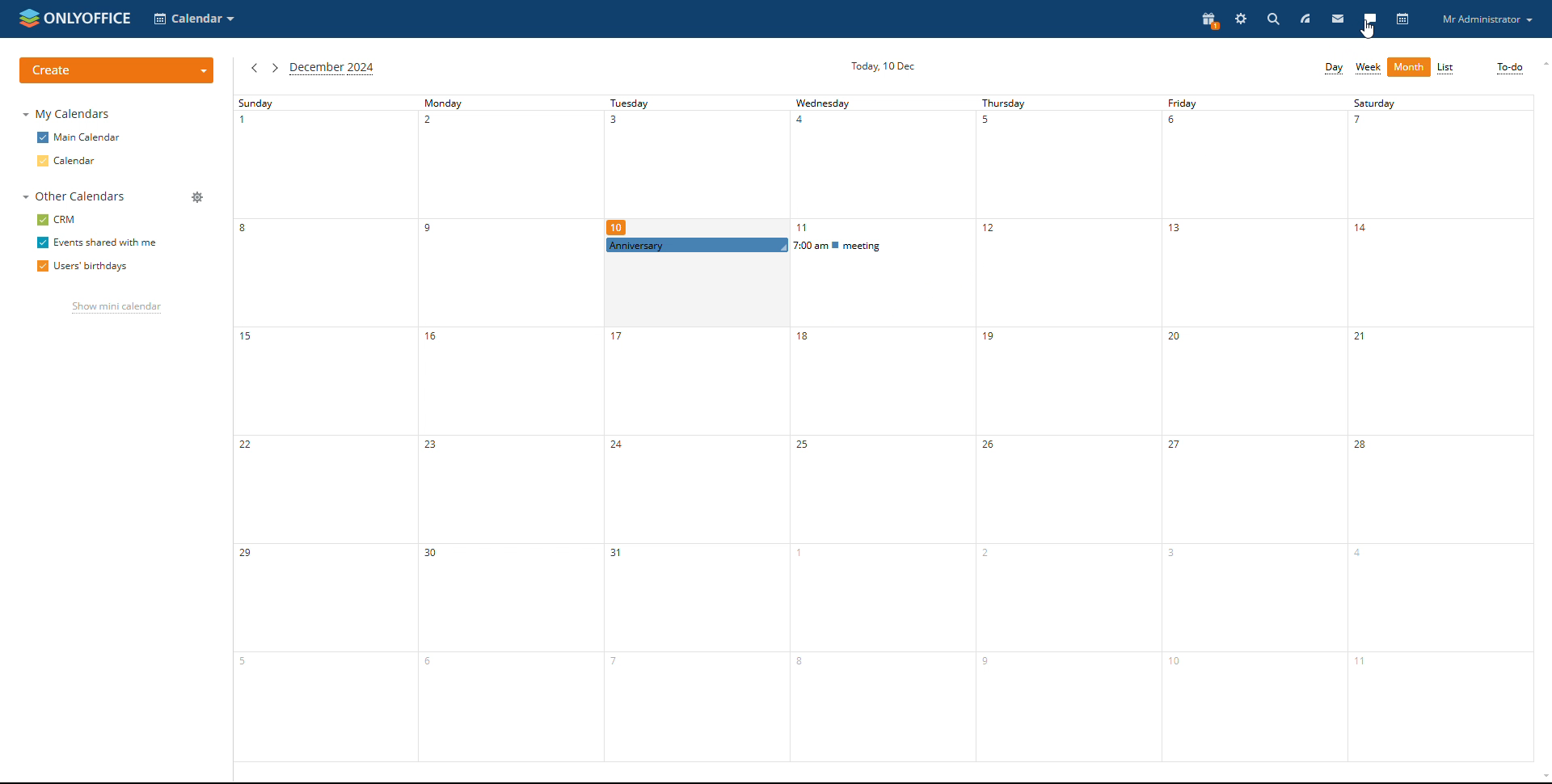 The image size is (1552, 784). What do you see at coordinates (1402, 19) in the screenshot?
I see `calendar` at bounding box center [1402, 19].